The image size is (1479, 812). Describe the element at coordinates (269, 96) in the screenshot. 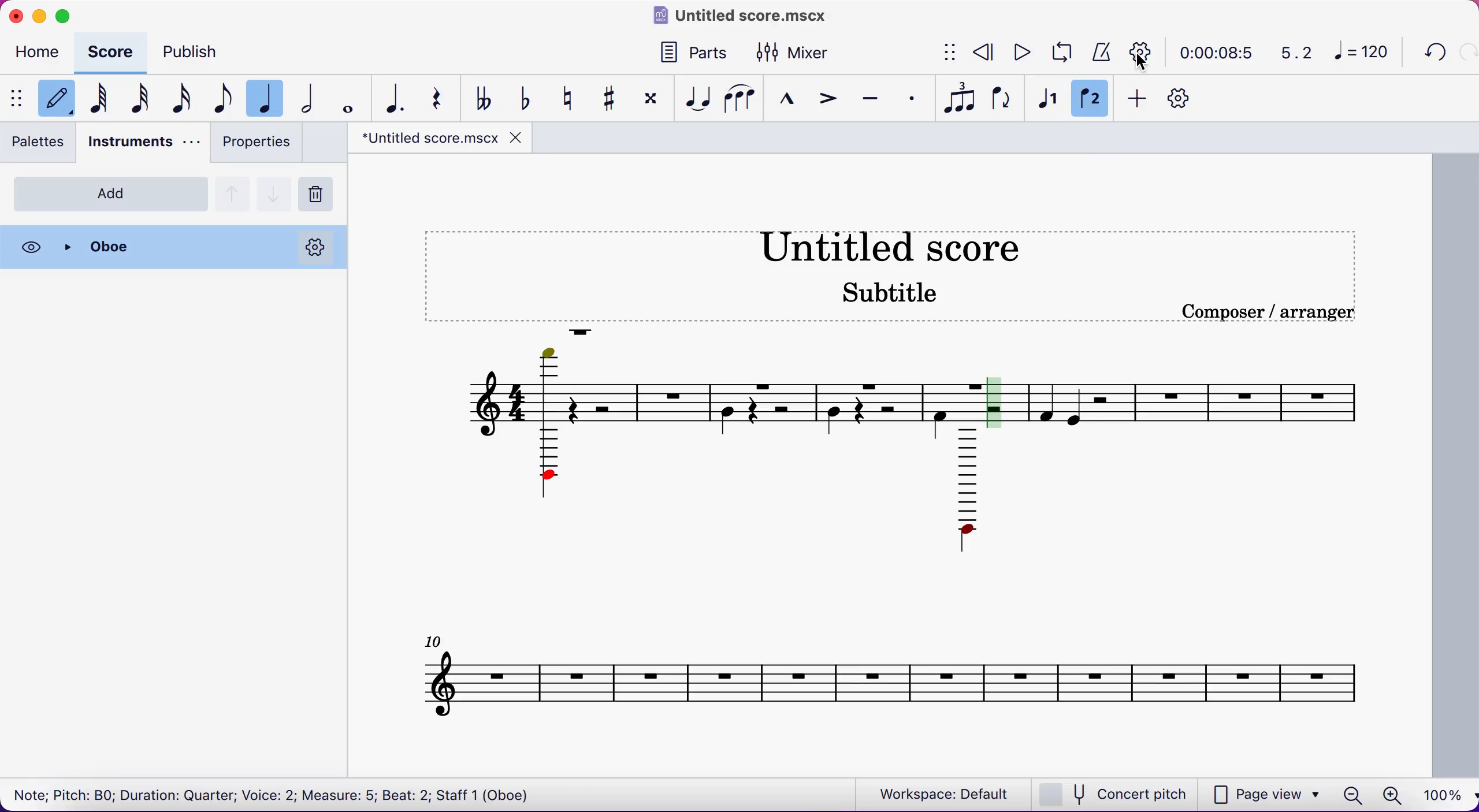

I see `quarter note` at that location.